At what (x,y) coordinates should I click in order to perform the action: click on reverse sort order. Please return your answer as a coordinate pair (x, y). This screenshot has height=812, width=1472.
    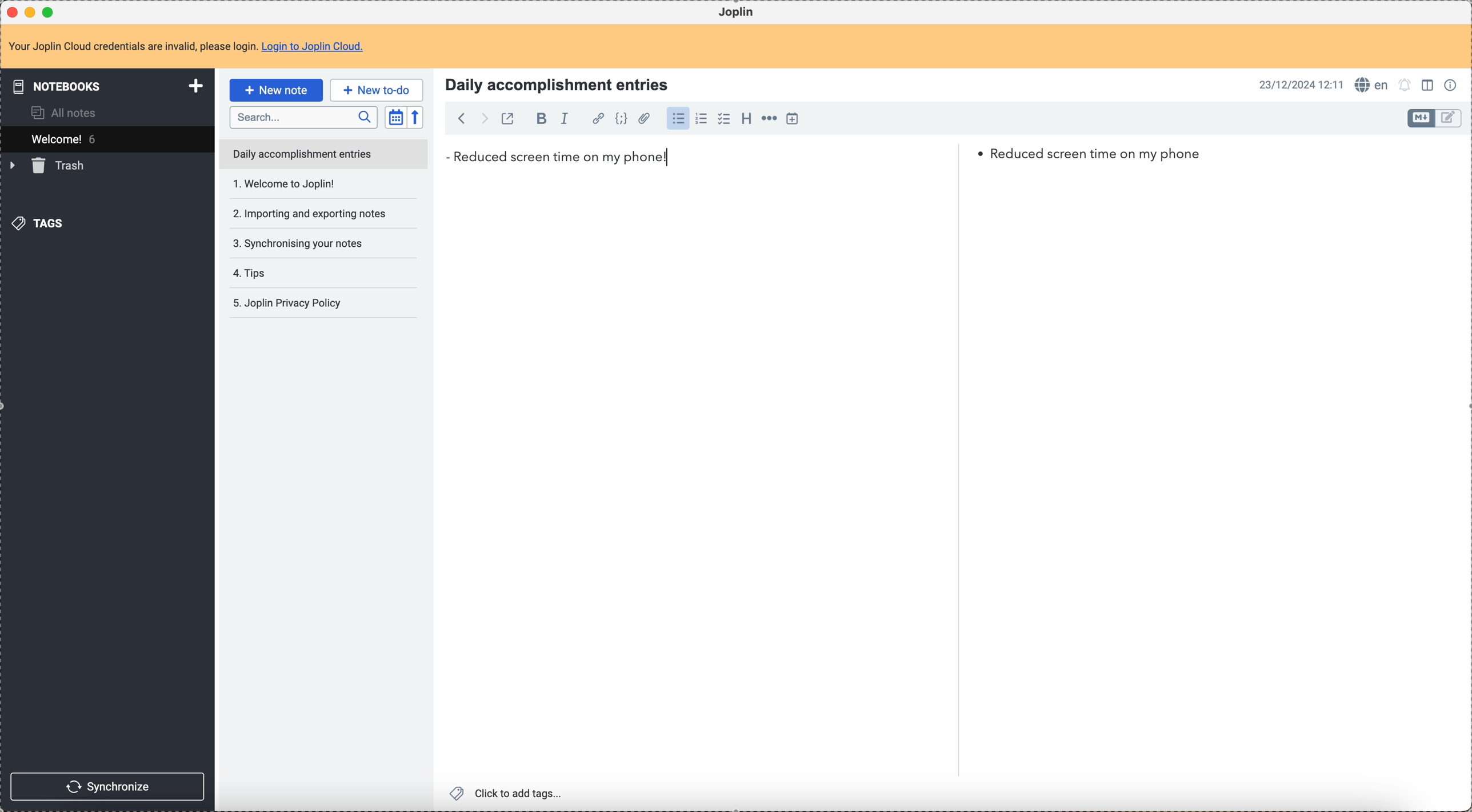
    Looking at the image, I should click on (415, 117).